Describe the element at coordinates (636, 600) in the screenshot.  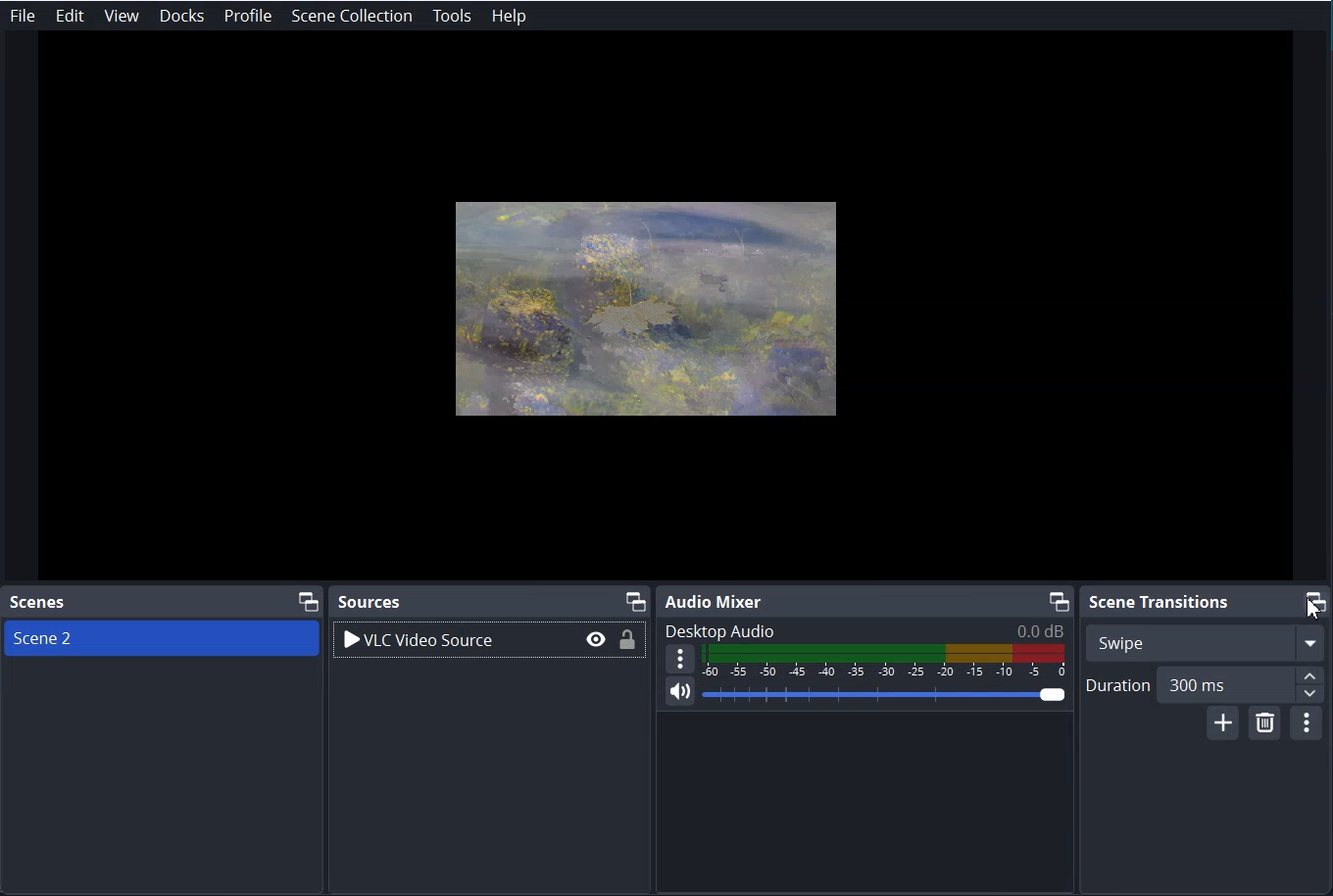
I see `Maximize` at that location.